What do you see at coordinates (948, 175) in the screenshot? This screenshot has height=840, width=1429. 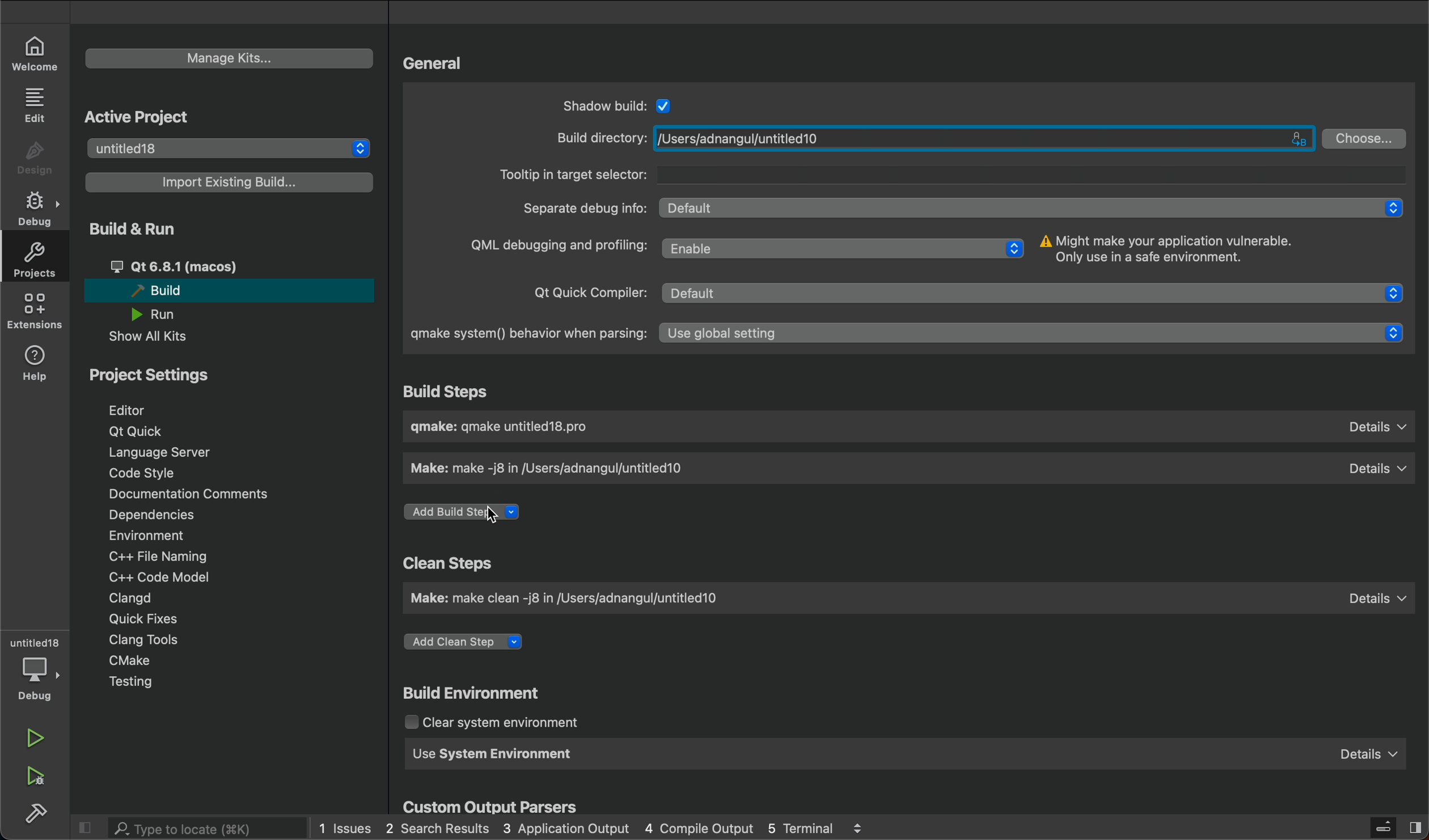 I see `Tooltip in target selector:` at bounding box center [948, 175].